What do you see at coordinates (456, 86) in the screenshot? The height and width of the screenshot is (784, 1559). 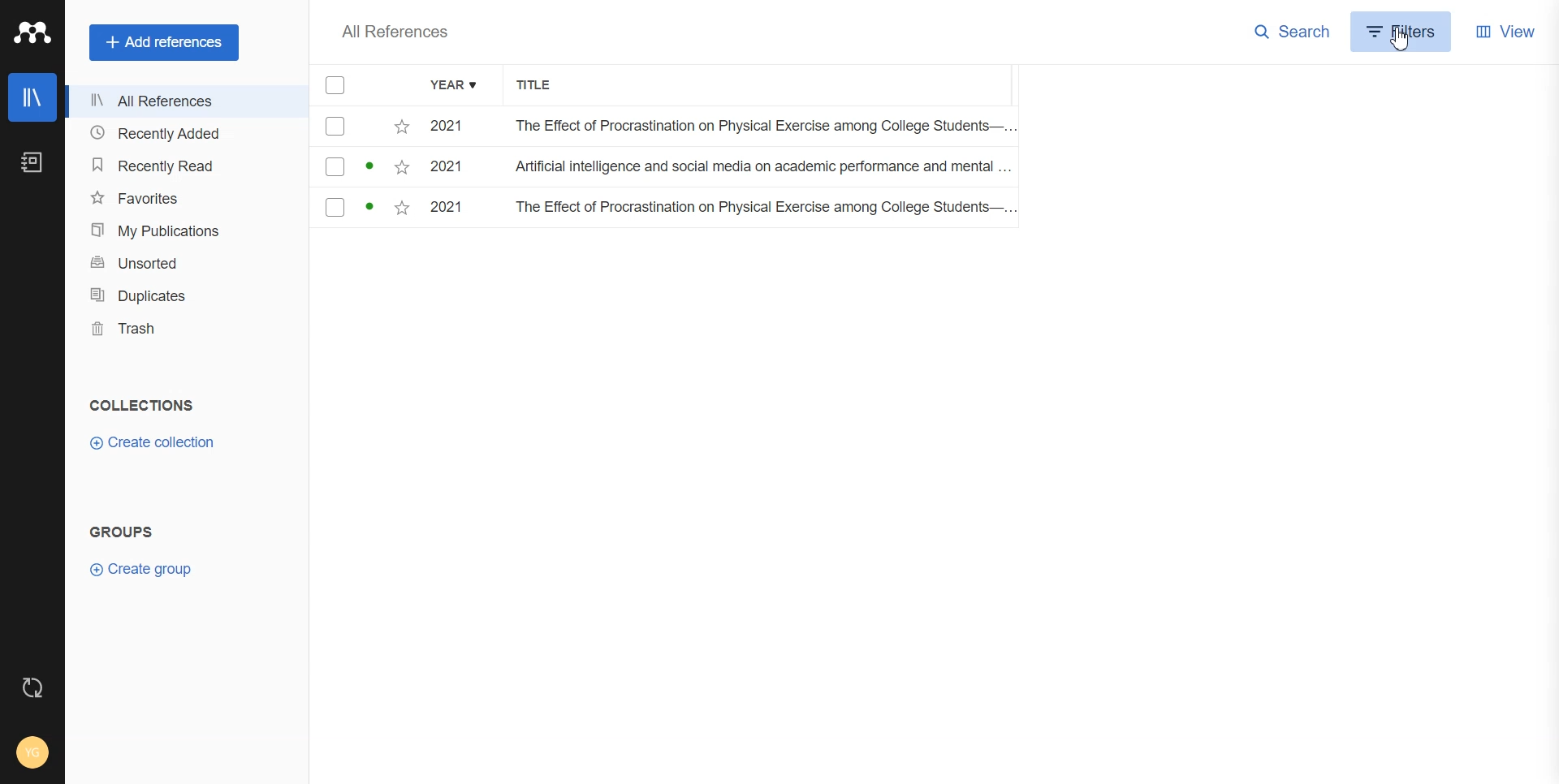 I see `Year` at bounding box center [456, 86].